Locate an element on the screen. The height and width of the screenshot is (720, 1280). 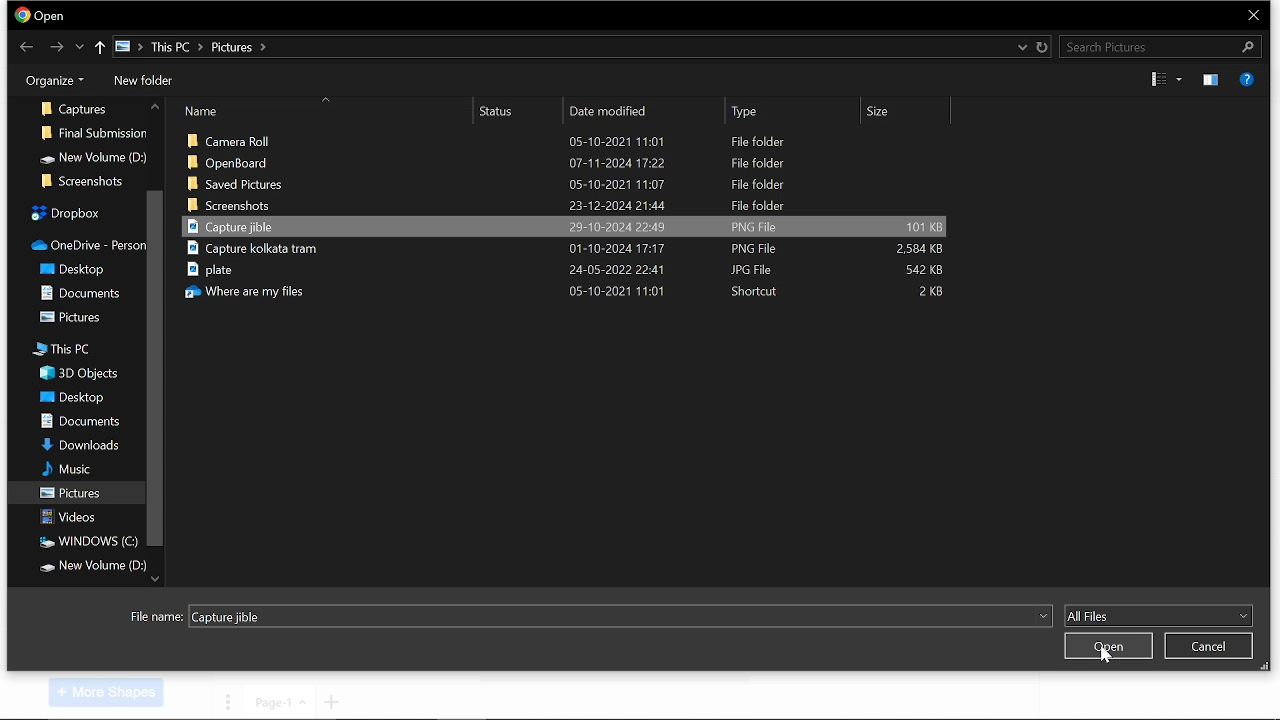
vertical scrollbar is located at coordinates (154, 371).